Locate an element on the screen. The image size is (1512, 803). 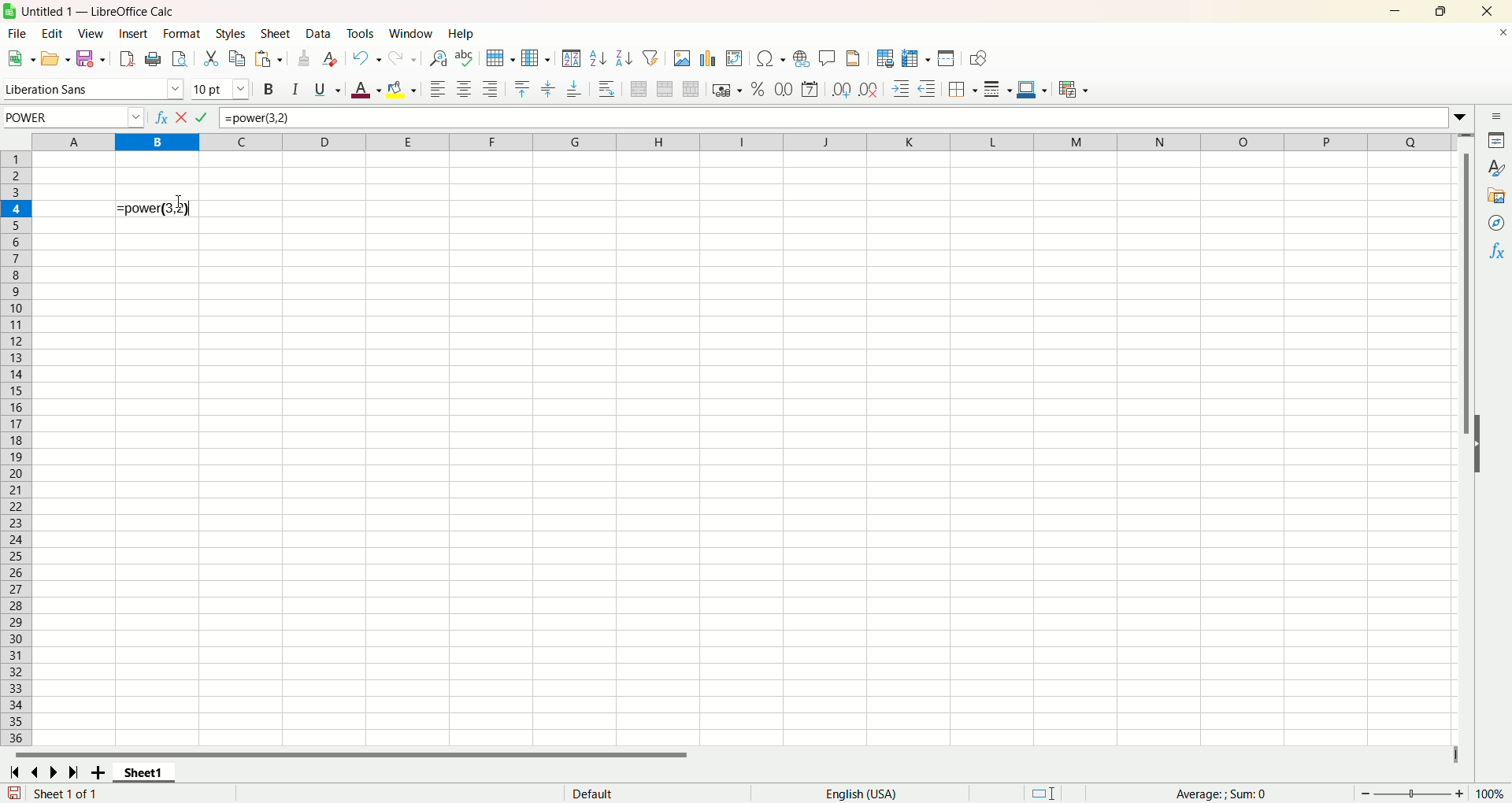
clone formatting is located at coordinates (306, 58).